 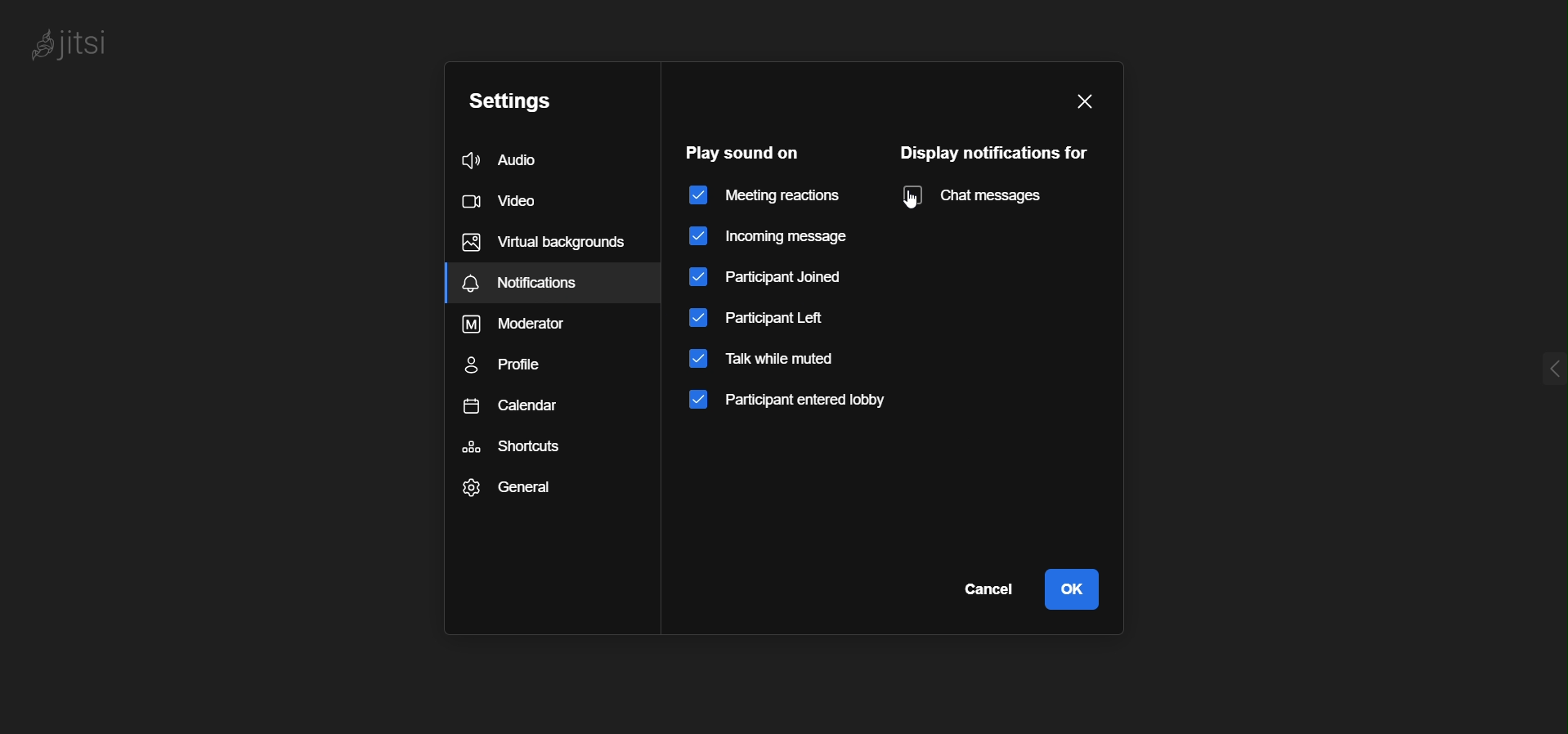 I want to click on incoming message, so click(x=769, y=235).